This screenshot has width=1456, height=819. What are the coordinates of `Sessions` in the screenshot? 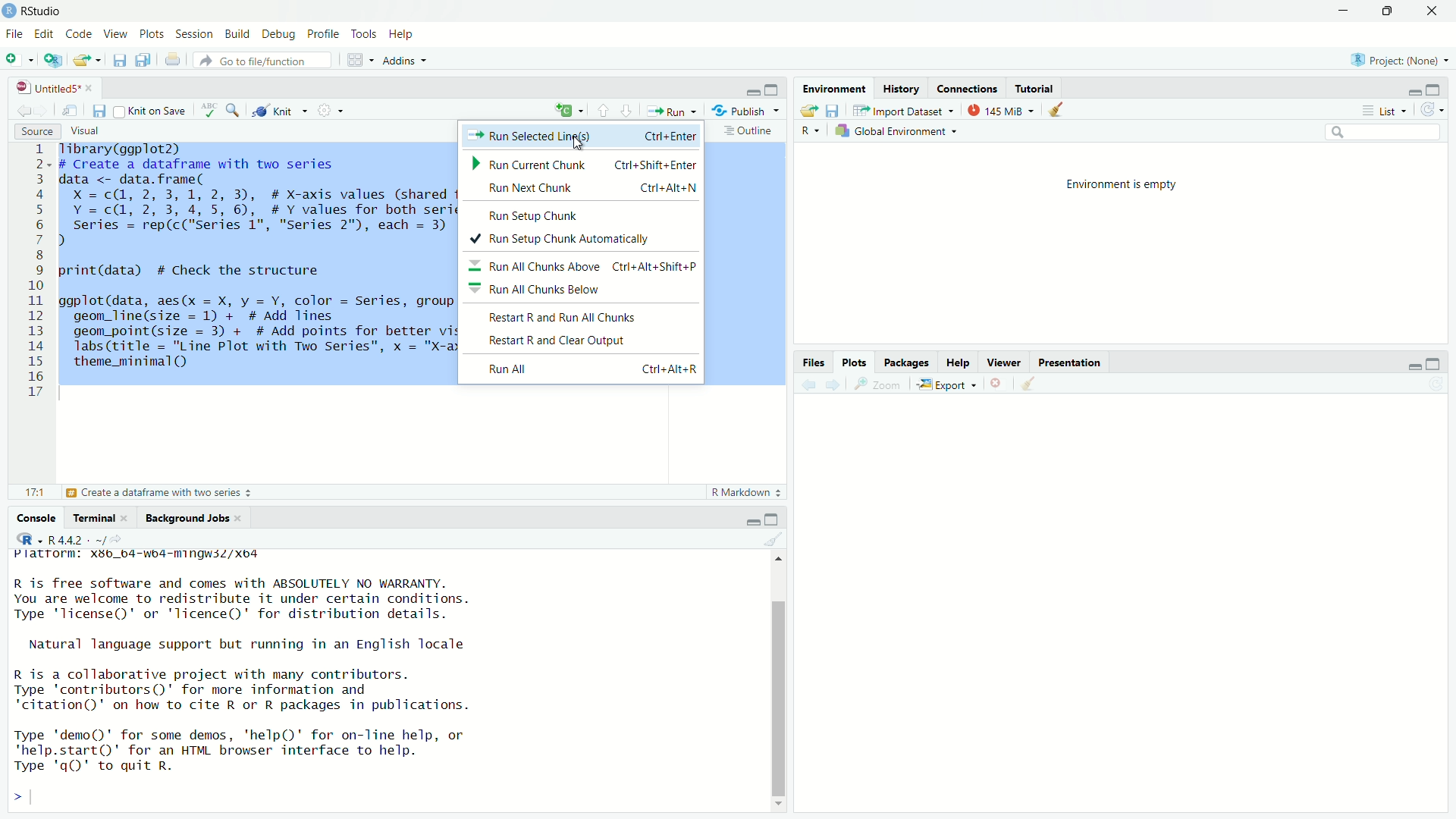 It's located at (194, 36).